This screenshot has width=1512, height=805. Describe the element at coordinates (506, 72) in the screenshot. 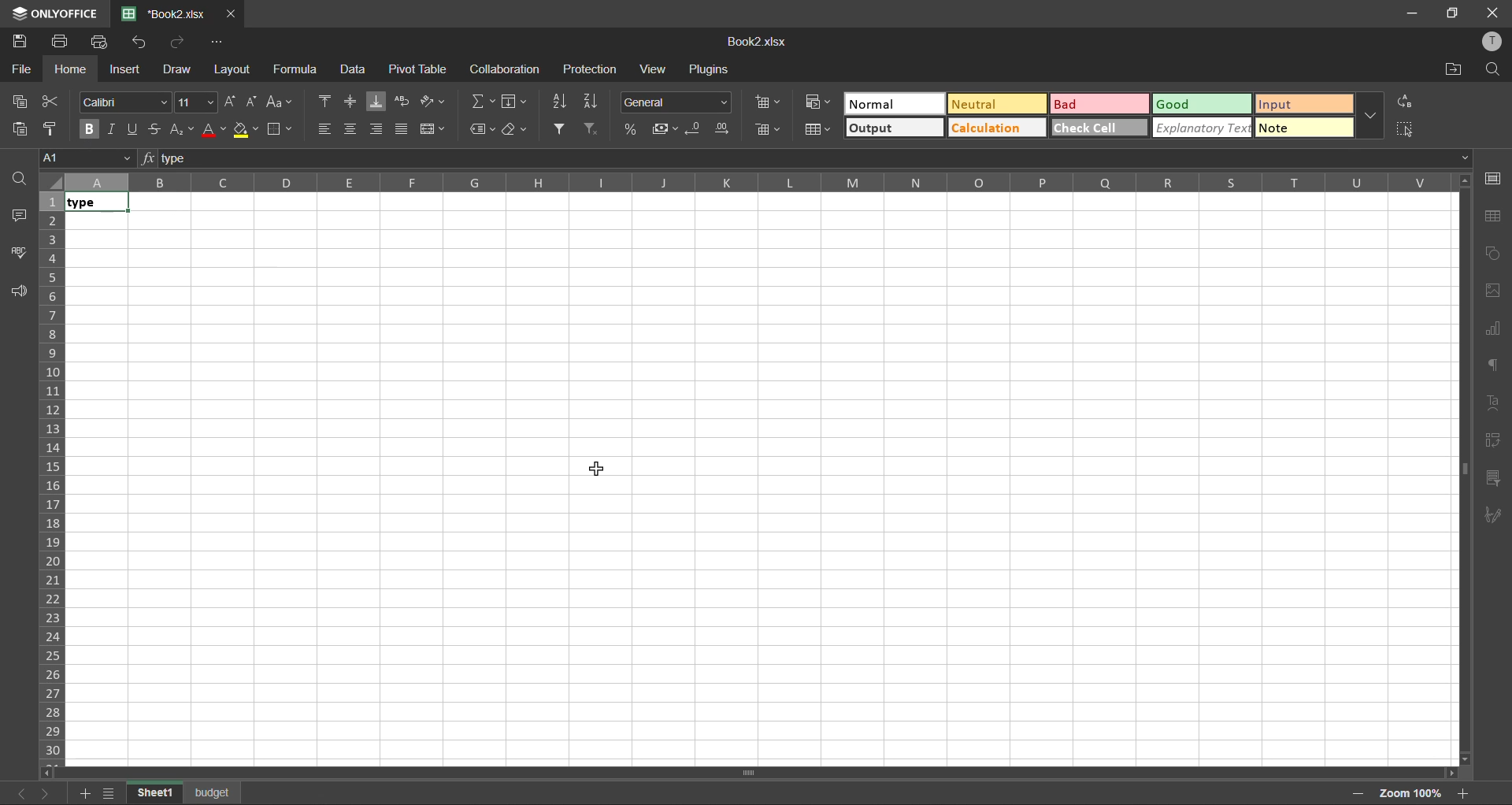

I see `collaboration` at that location.